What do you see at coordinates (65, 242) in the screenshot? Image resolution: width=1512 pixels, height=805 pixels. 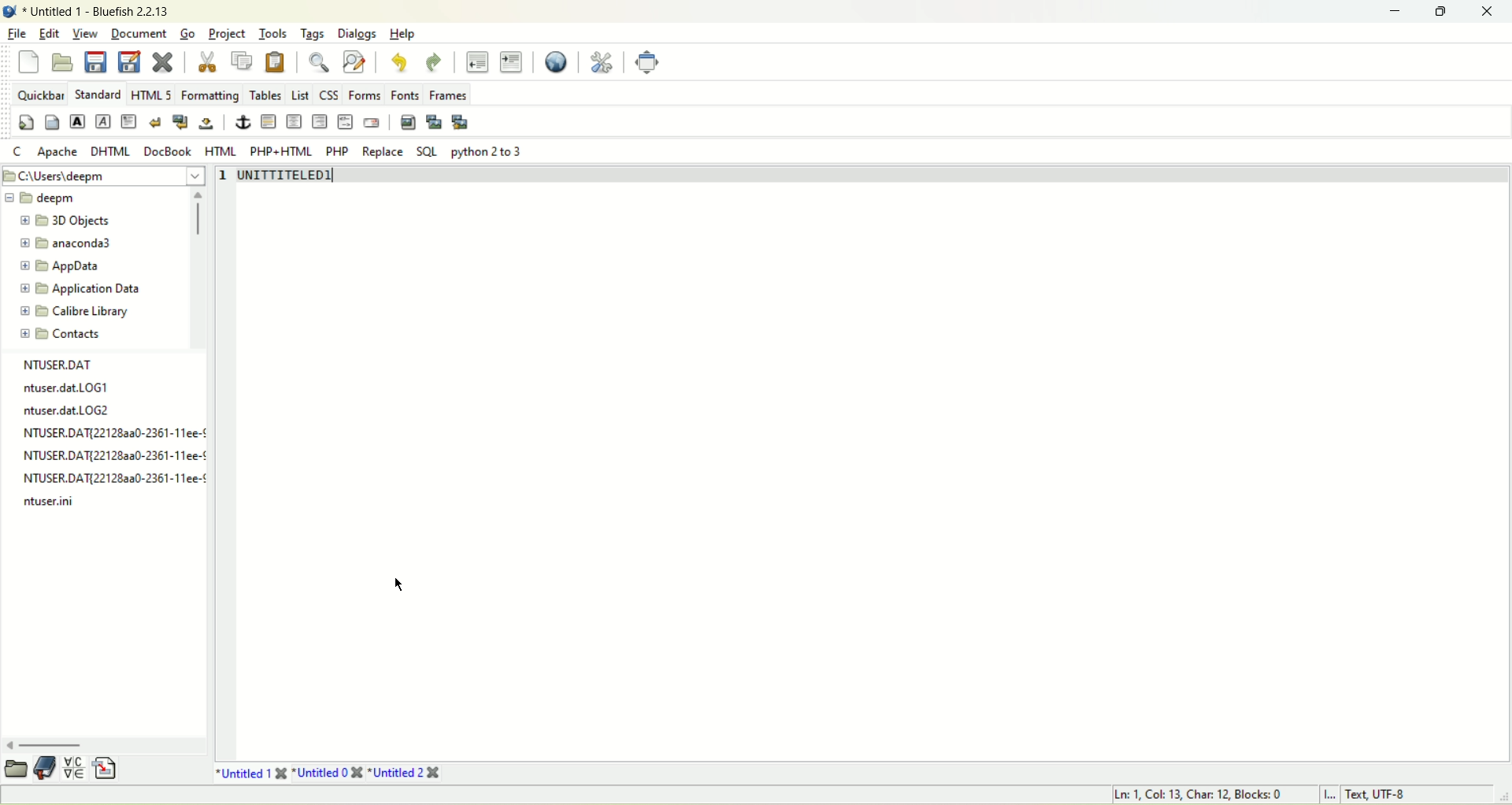 I see `anaconda3` at bounding box center [65, 242].